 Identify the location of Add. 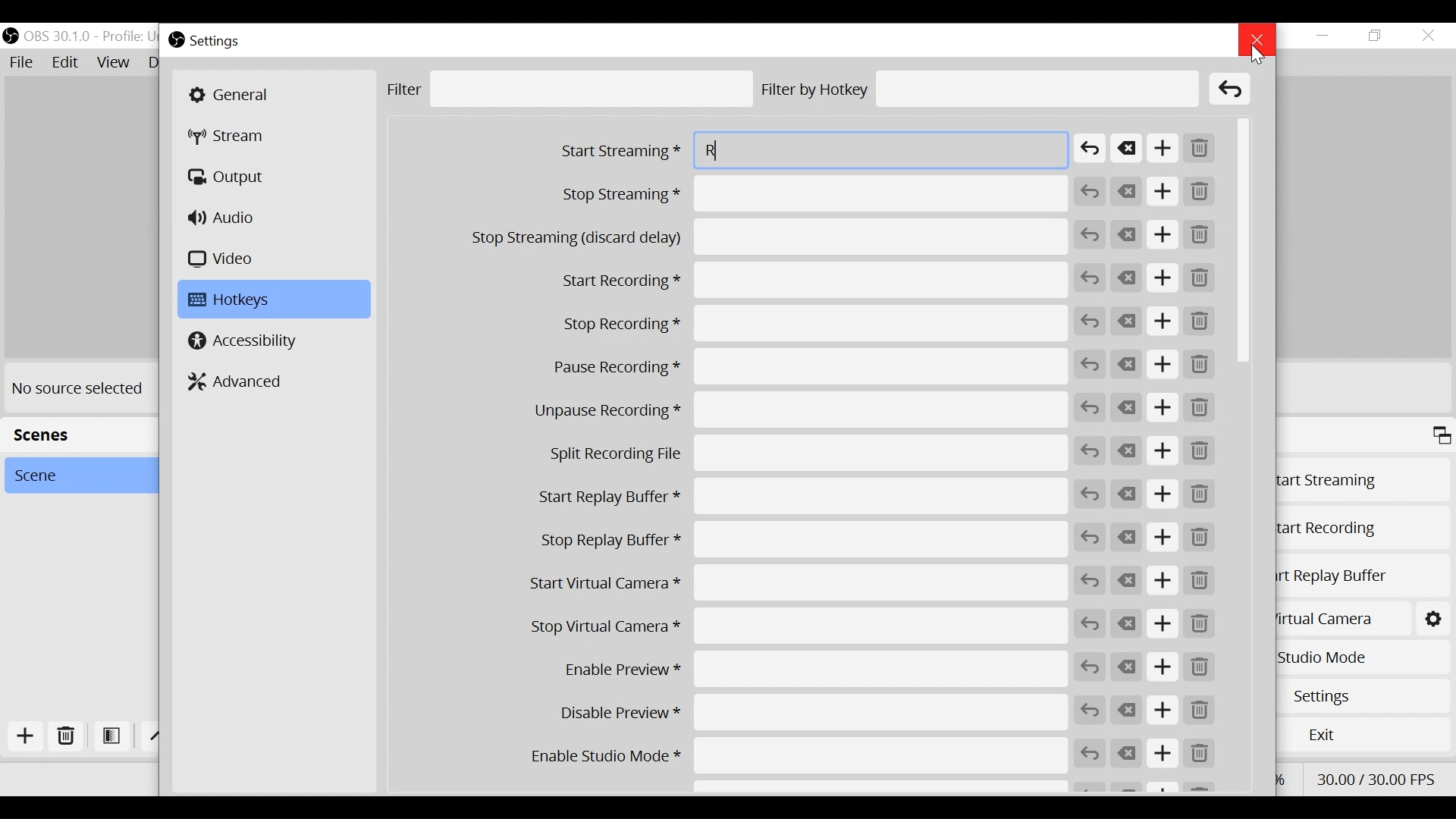
(1164, 193).